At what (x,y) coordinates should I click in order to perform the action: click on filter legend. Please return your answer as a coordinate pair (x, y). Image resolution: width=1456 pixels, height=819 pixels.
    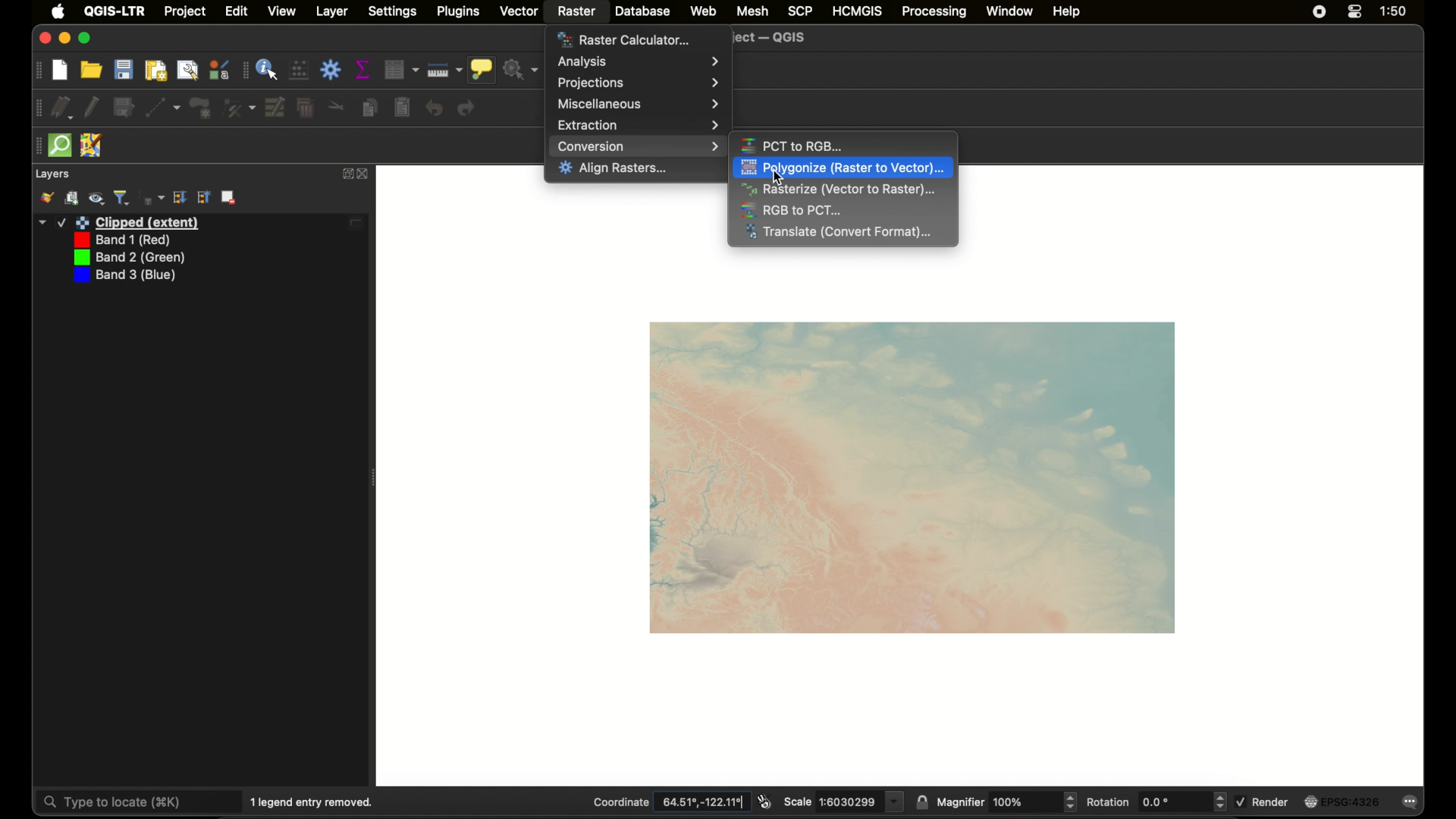
    Looking at the image, I should click on (122, 198).